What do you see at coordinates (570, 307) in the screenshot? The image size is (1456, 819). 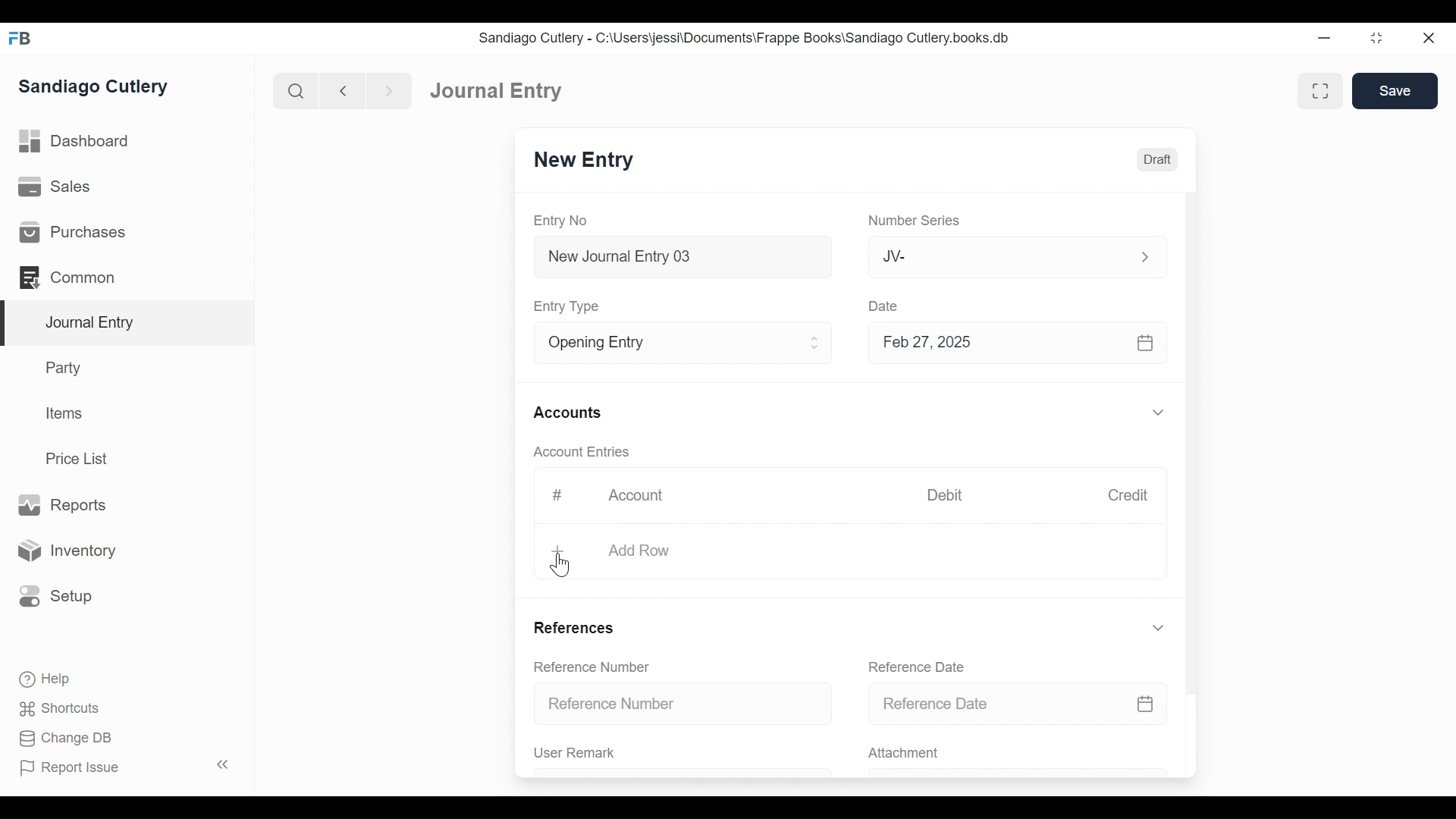 I see `Entry Type` at bounding box center [570, 307].